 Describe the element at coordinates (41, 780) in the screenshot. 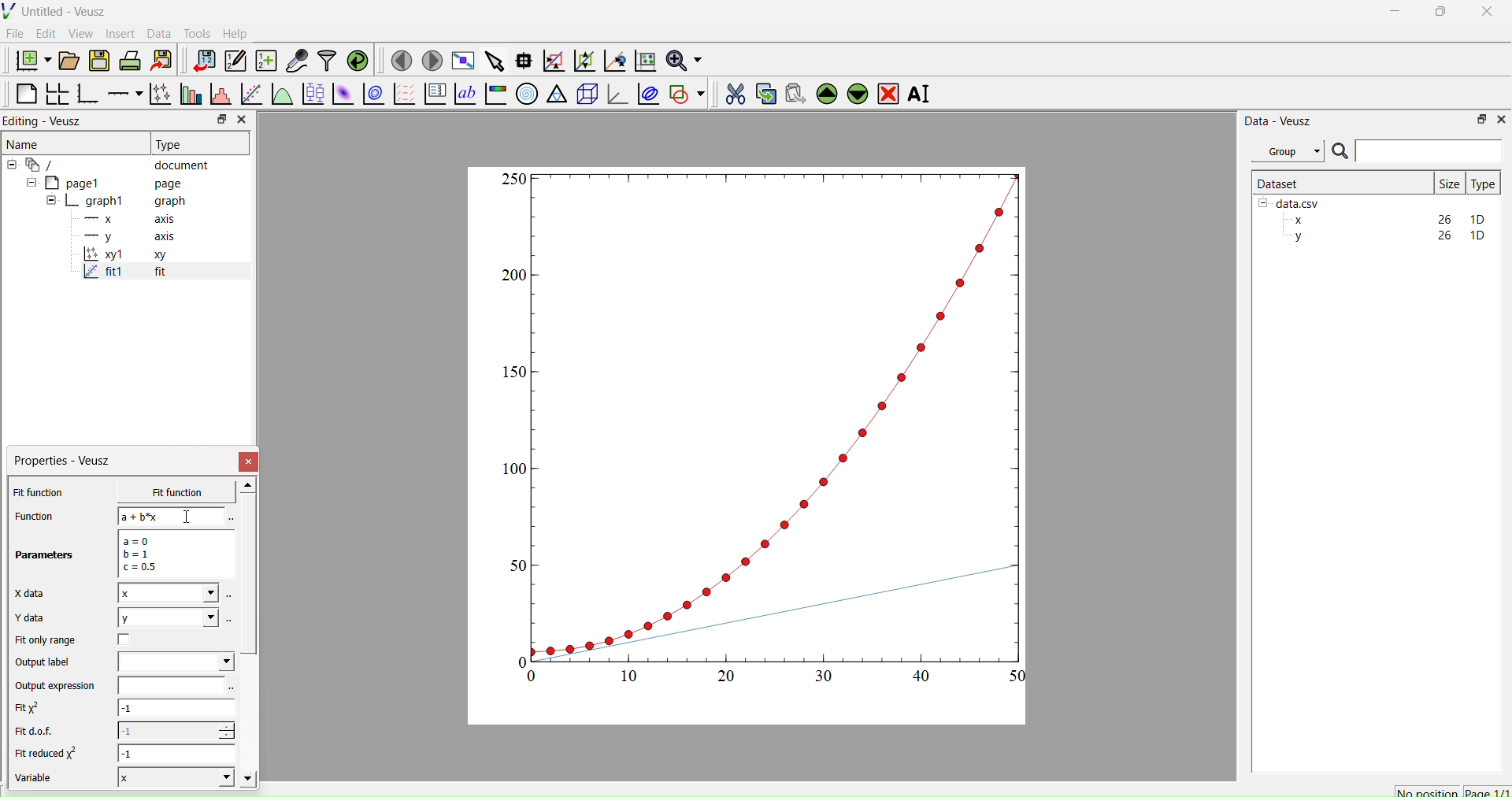

I see `Variable` at that location.